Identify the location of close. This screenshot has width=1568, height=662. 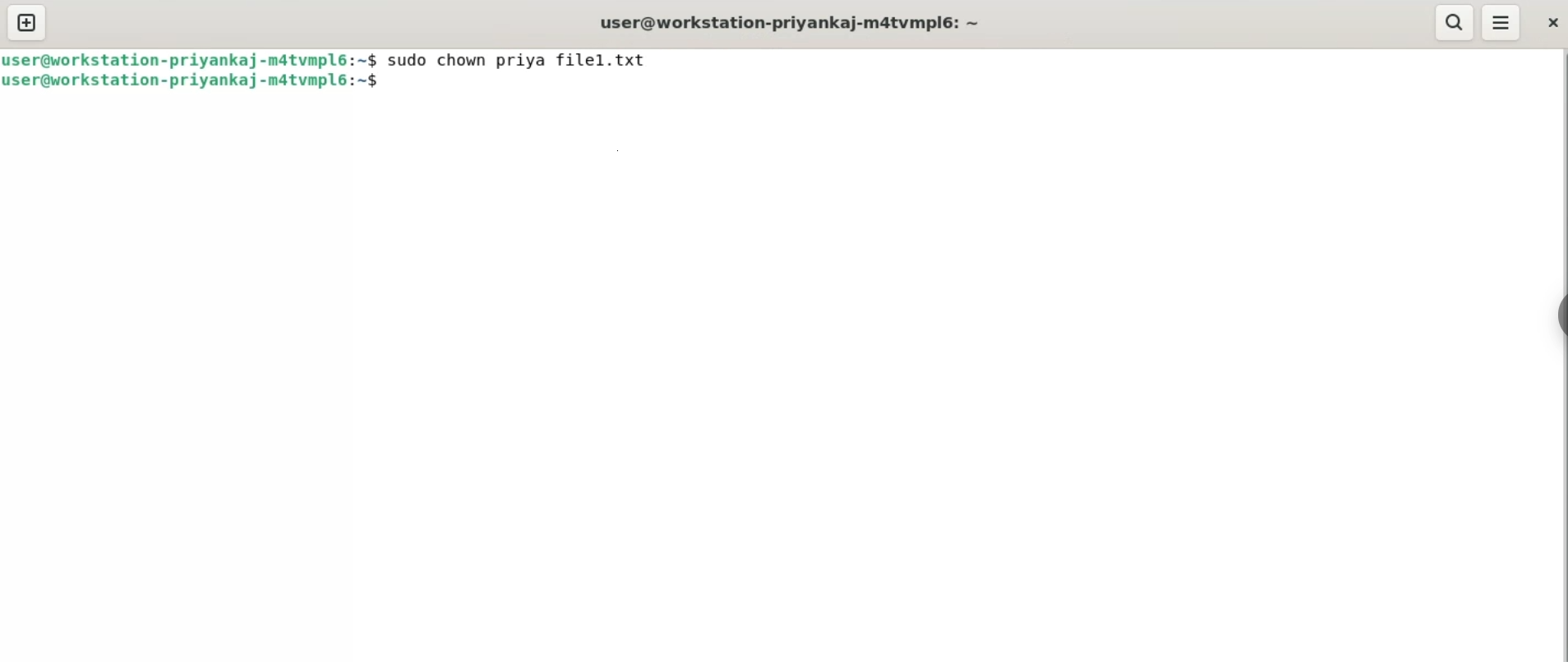
(1555, 25).